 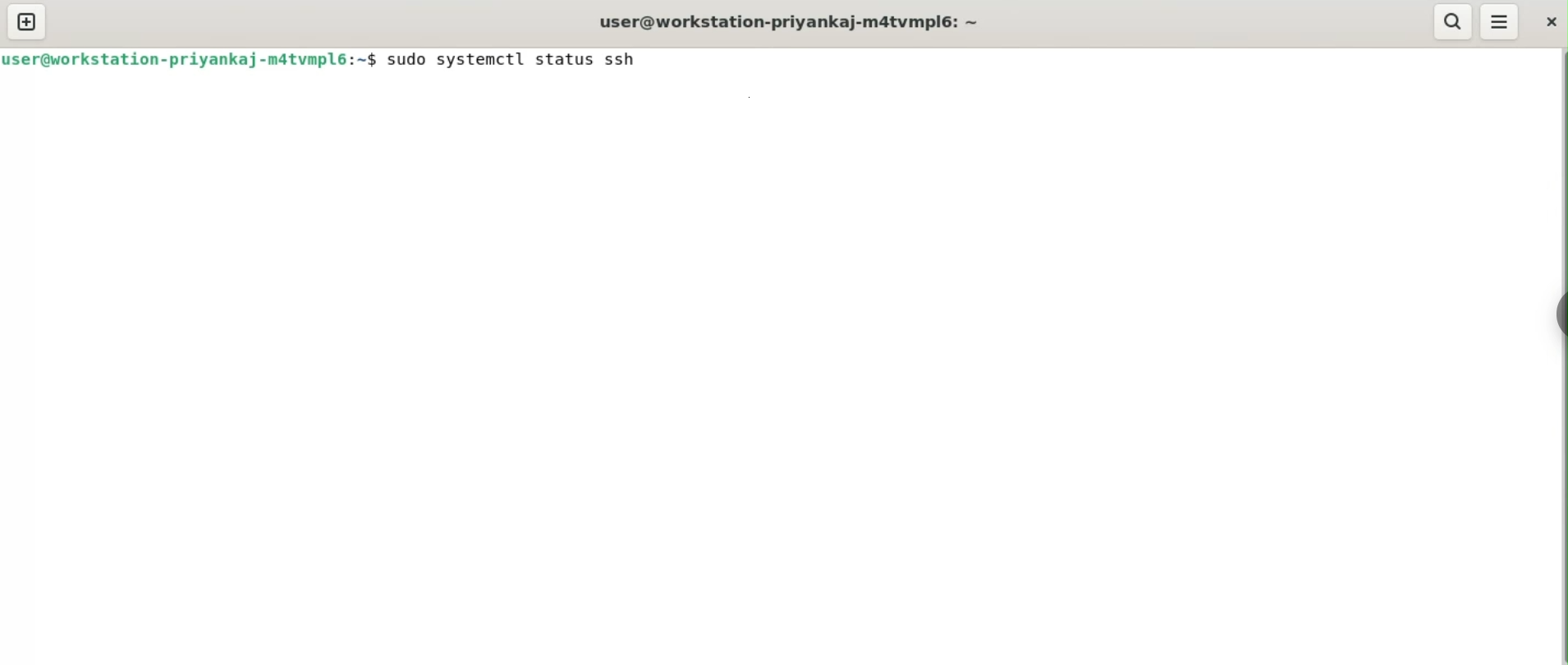 What do you see at coordinates (1454, 22) in the screenshot?
I see `search` at bounding box center [1454, 22].